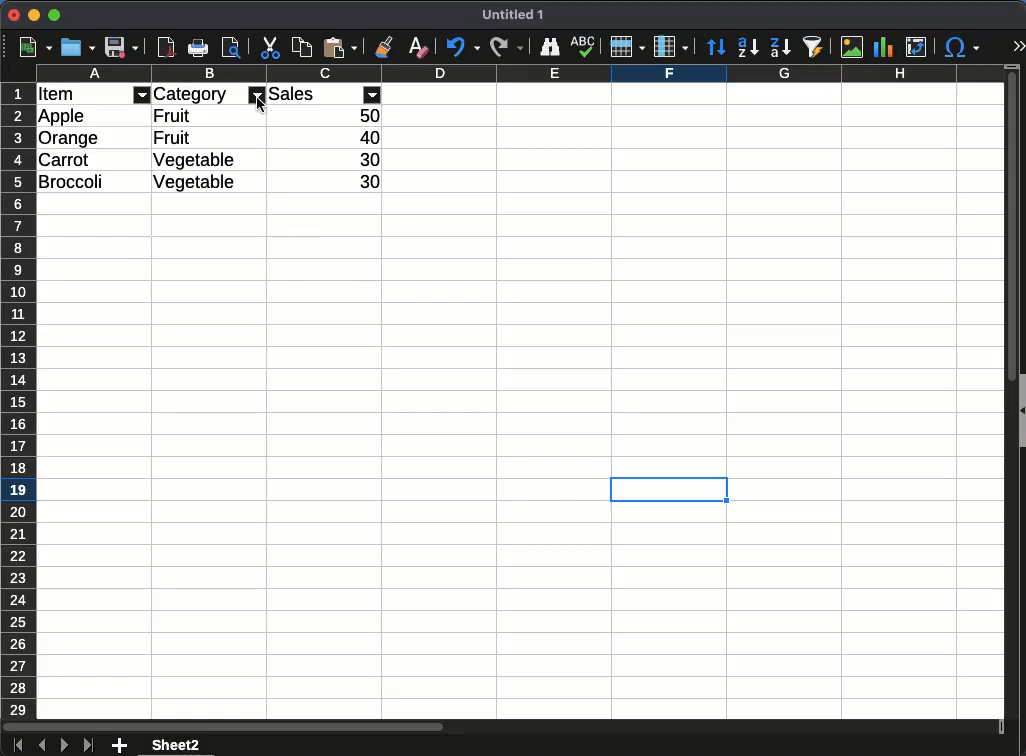  Describe the element at coordinates (625, 49) in the screenshot. I see `row` at that location.